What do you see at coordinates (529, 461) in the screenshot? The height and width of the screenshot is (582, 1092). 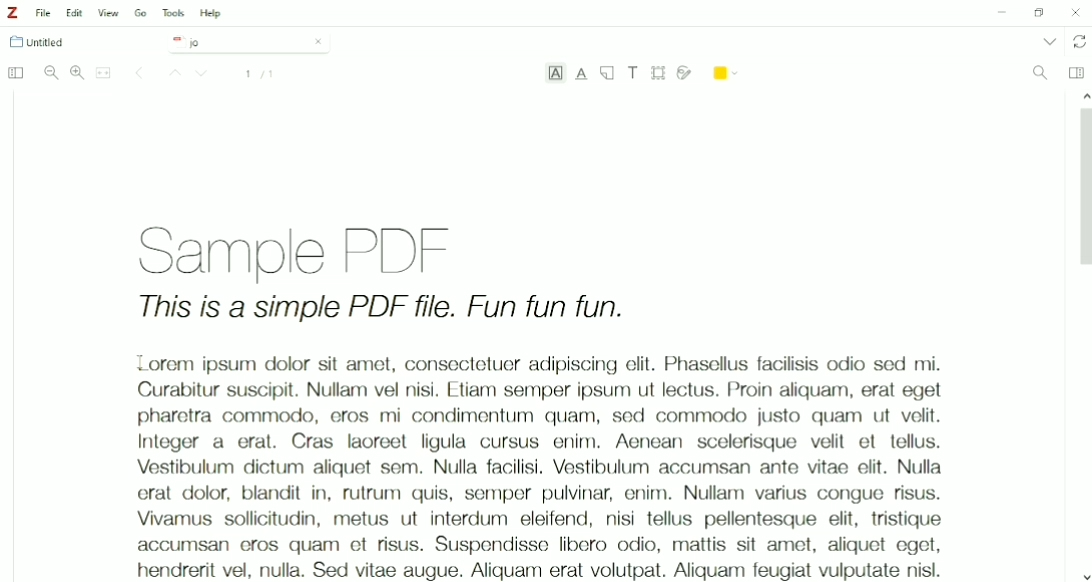 I see `Lorem ipsum dolor sit amet, consectetur adipiscing elit, sed do eiusmod tempor incididunt ut labore et dolore magna aliqua. Ut enim ad minim veniam, quis nostrud exercitation ullamco laboris nisi ut aliquip ex ea commodo consequat. Duis aute irure dolor in reprehenderit in voluptate velit esse cillum dolore eu fugiat nulla pariatur. Excepteur sint occaecat cupidatat non proident, sunt in culpa qui officia deserunt mollit anim id est laborum` at bounding box center [529, 461].